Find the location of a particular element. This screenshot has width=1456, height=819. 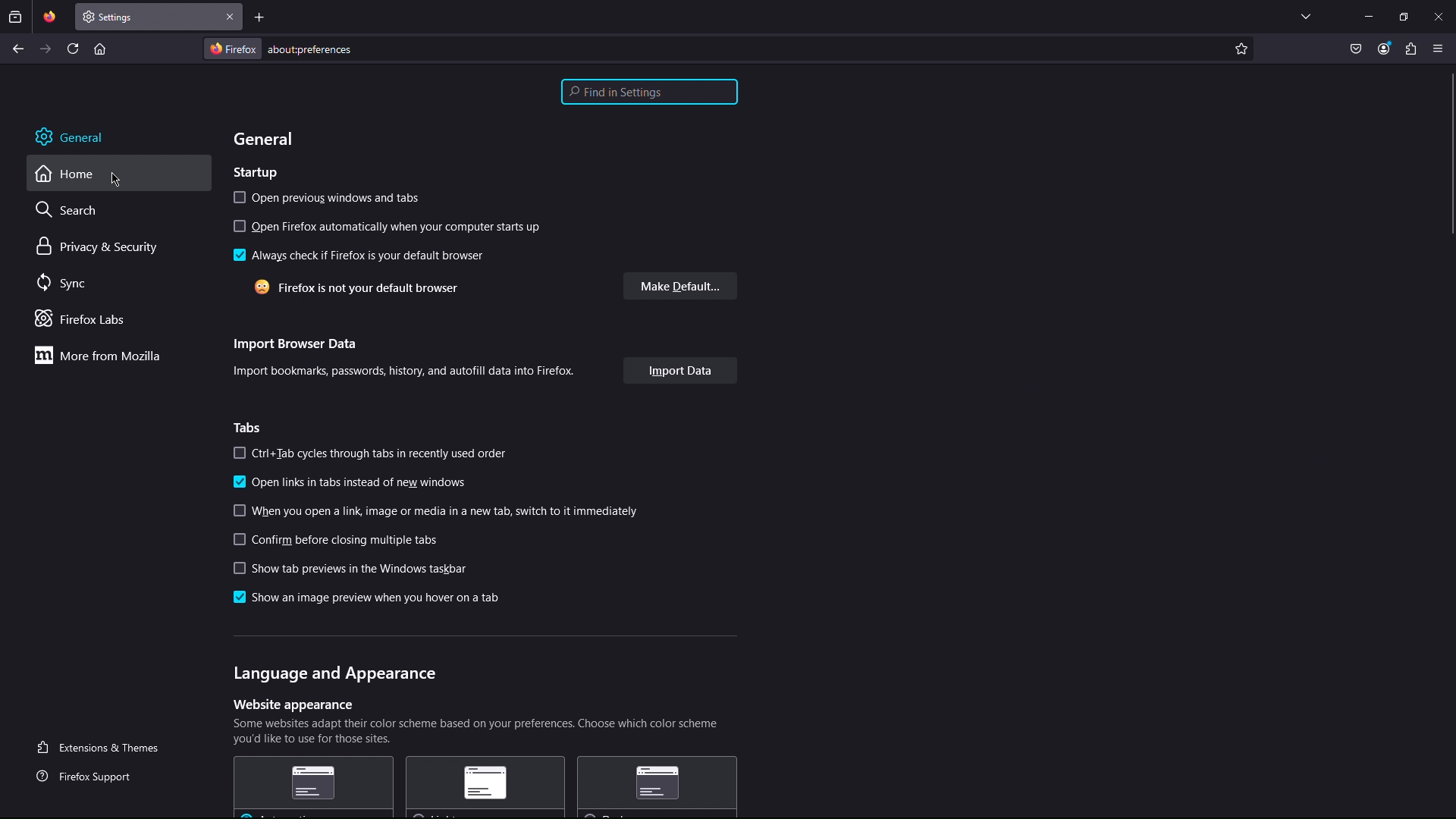

Firefox is not your default browser is located at coordinates (356, 287).